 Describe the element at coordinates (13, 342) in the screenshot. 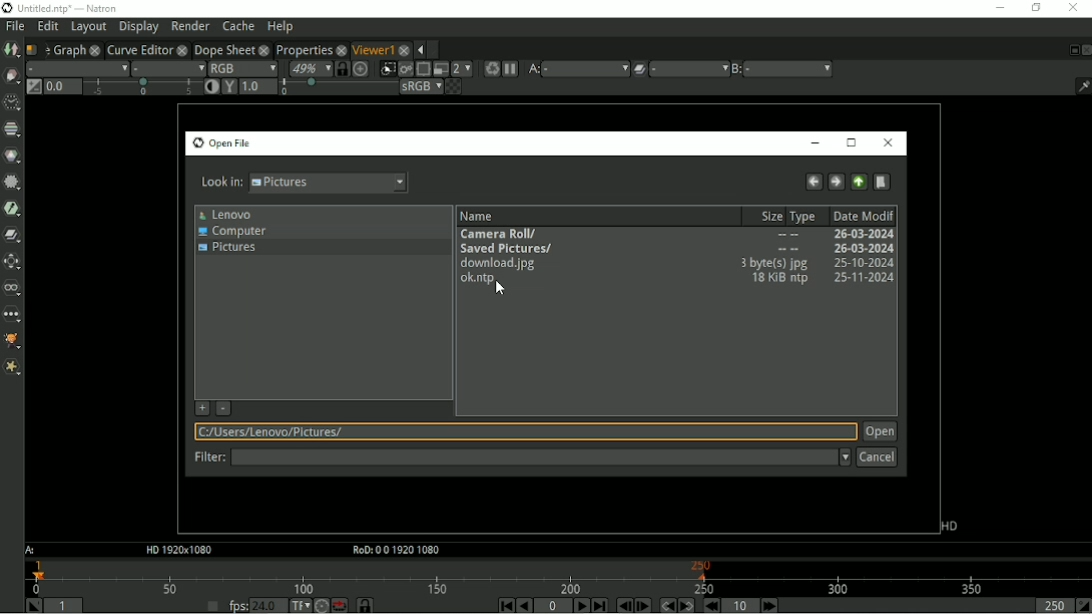

I see `GMIC` at that location.